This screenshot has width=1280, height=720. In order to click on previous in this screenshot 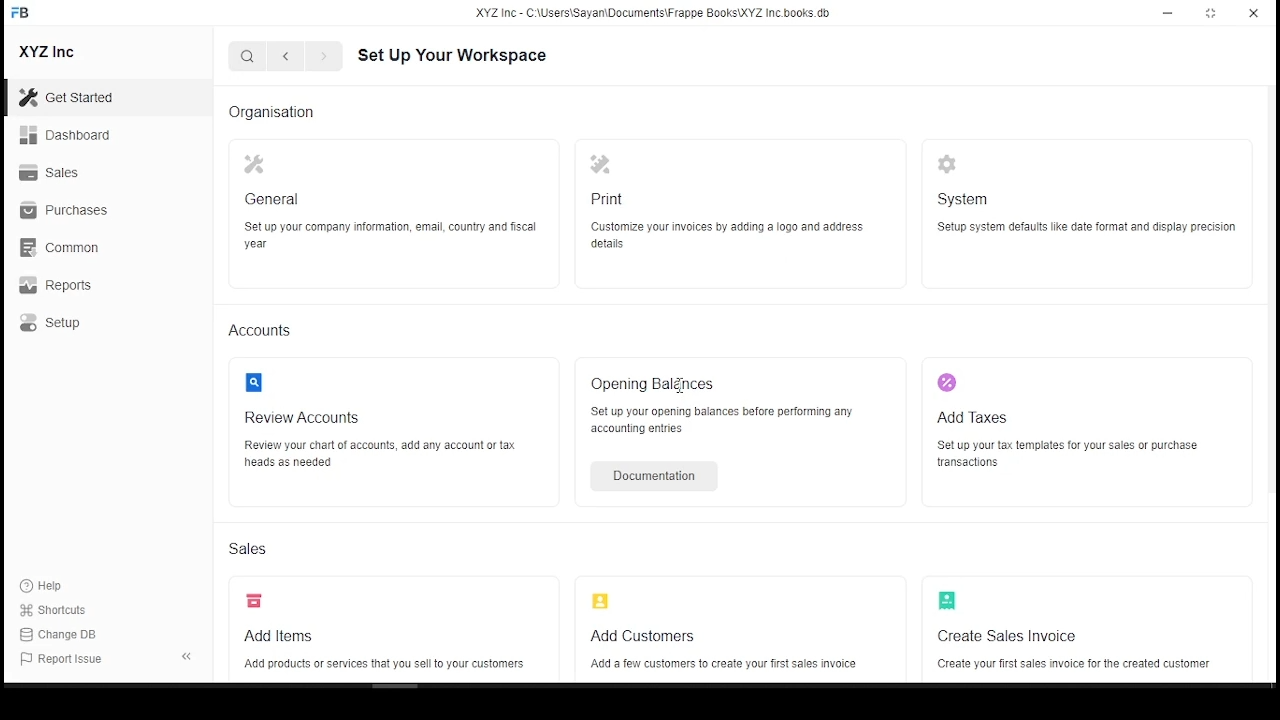, I will do `click(319, 58)`.